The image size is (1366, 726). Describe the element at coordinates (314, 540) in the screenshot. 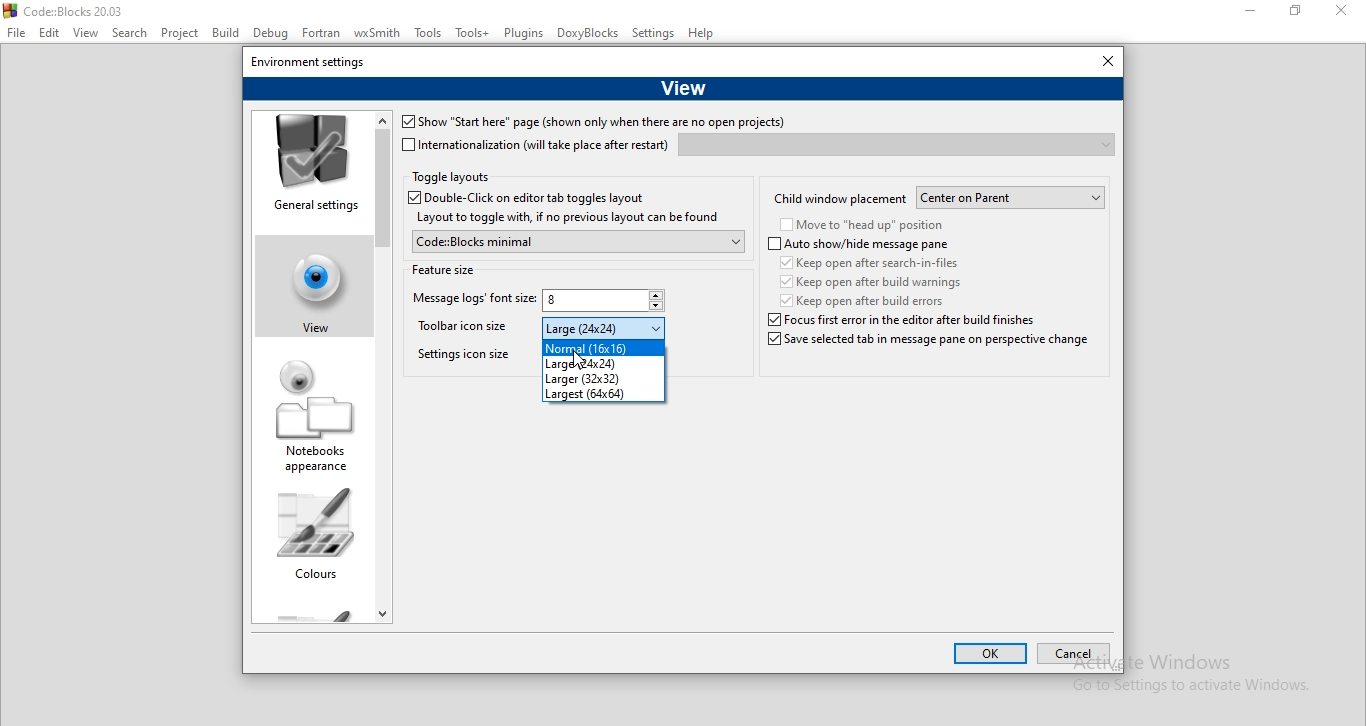

I see `colours` at that location.